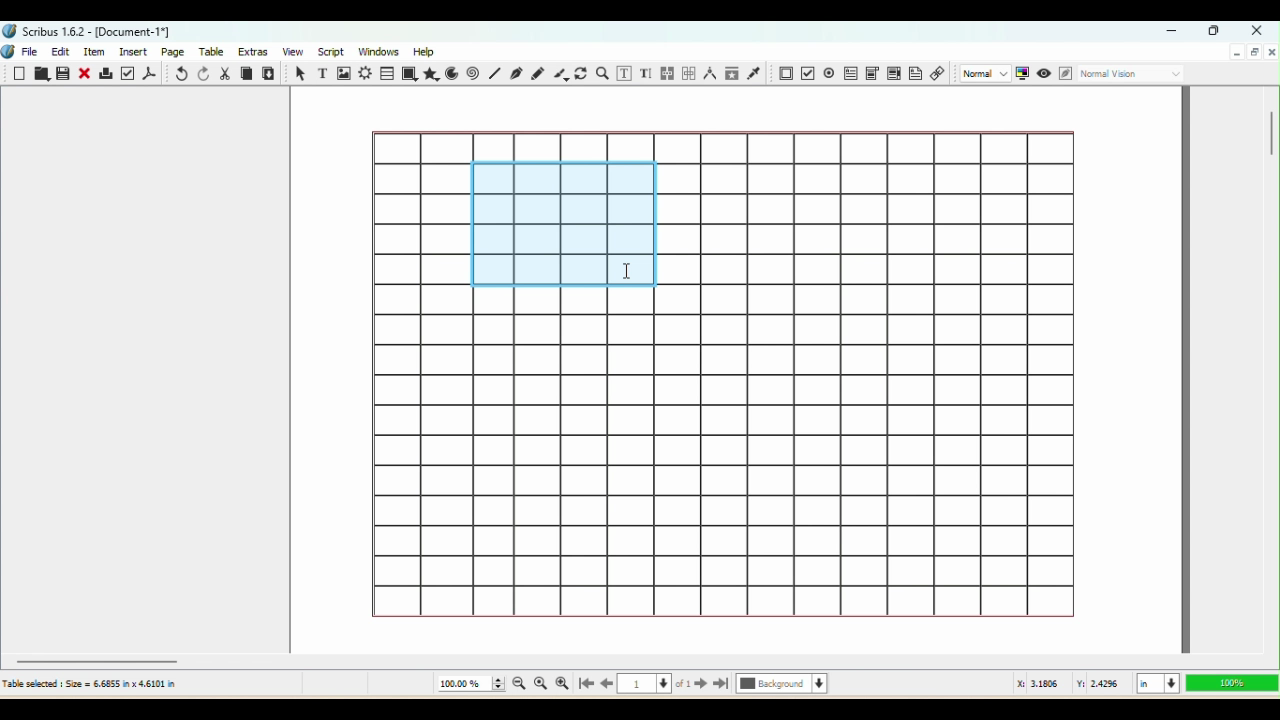 The width and height of the screenshot is (1280, 720). Describe the element at coordinates (330, 52) in the screenshot. I see `Script` at that location.